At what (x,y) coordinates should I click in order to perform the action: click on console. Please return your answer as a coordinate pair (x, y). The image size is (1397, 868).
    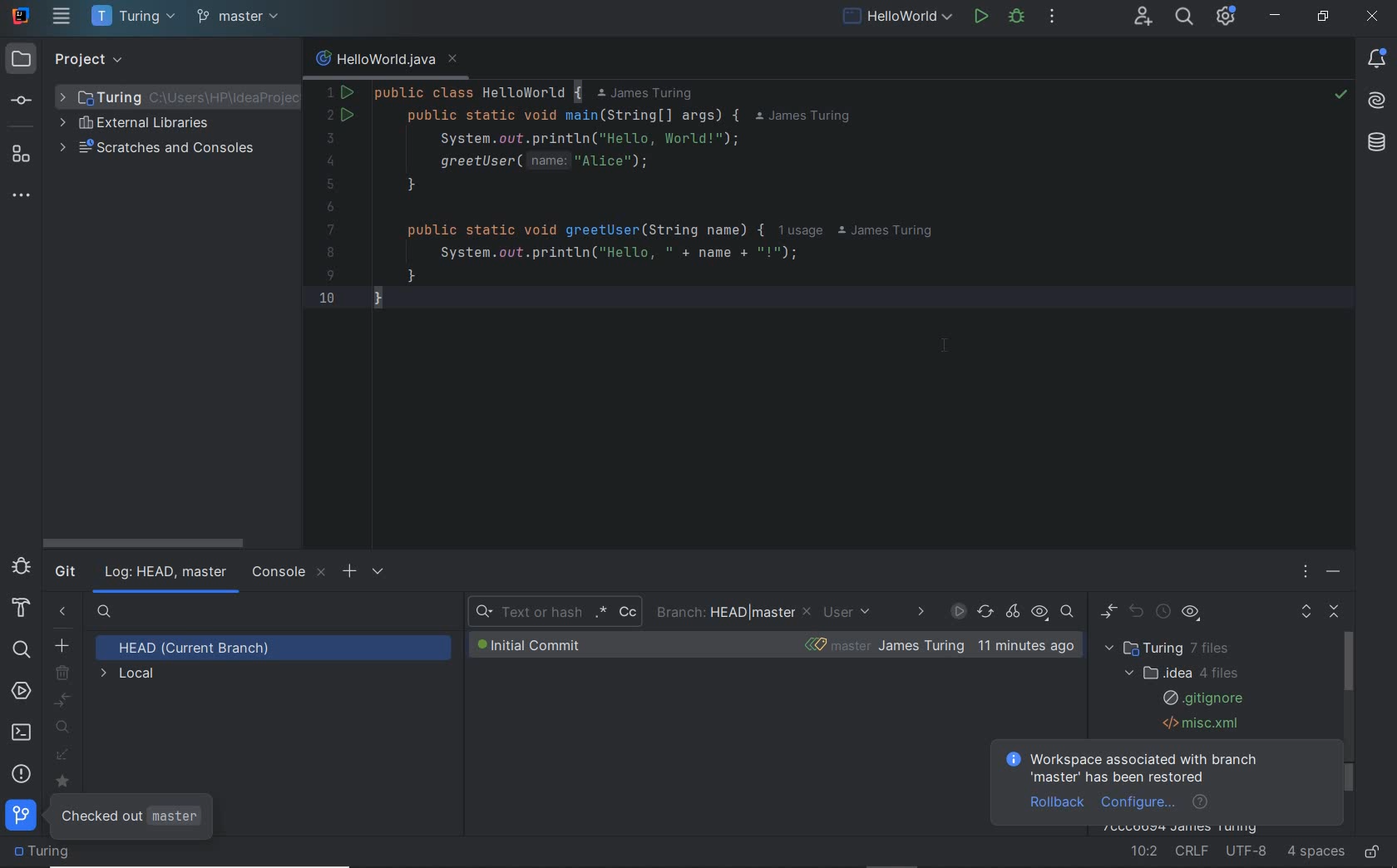
    Looking at the image, I should click on (288, 573).